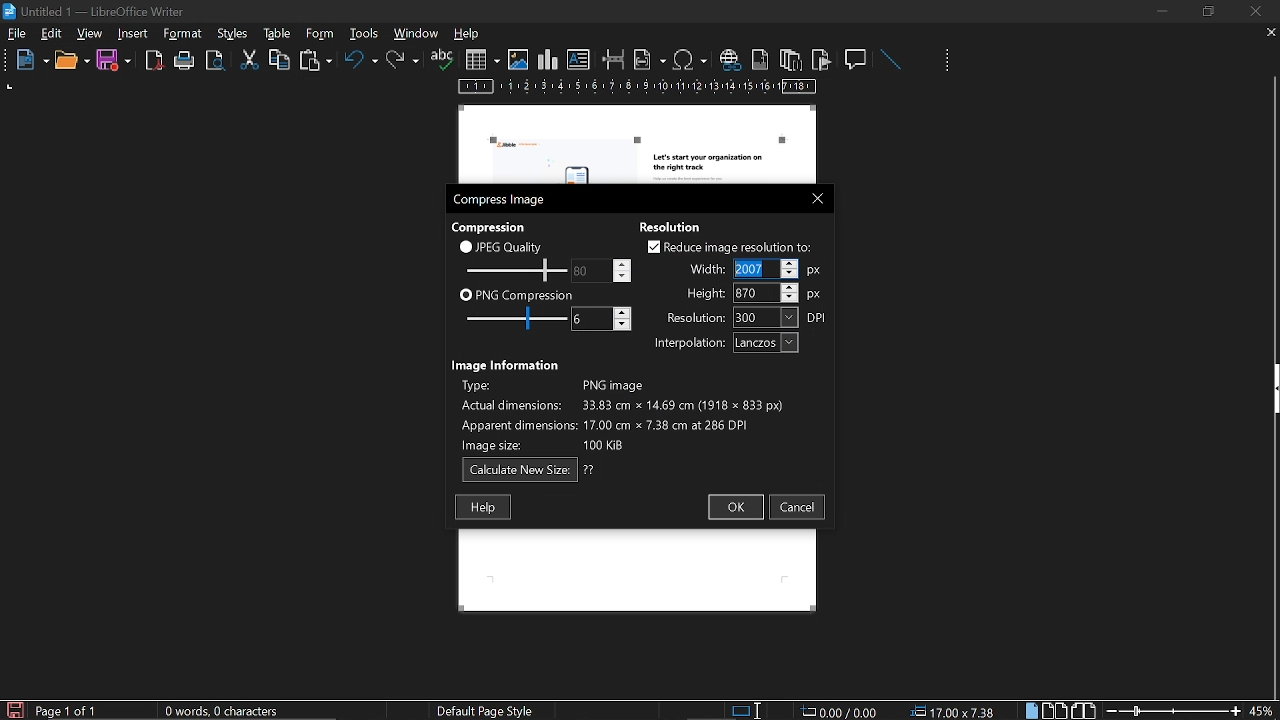 The image size is (1280, 720). Describe the element at coordinates (690, 59) in the screenshot. I see `insert symbol` at that location.